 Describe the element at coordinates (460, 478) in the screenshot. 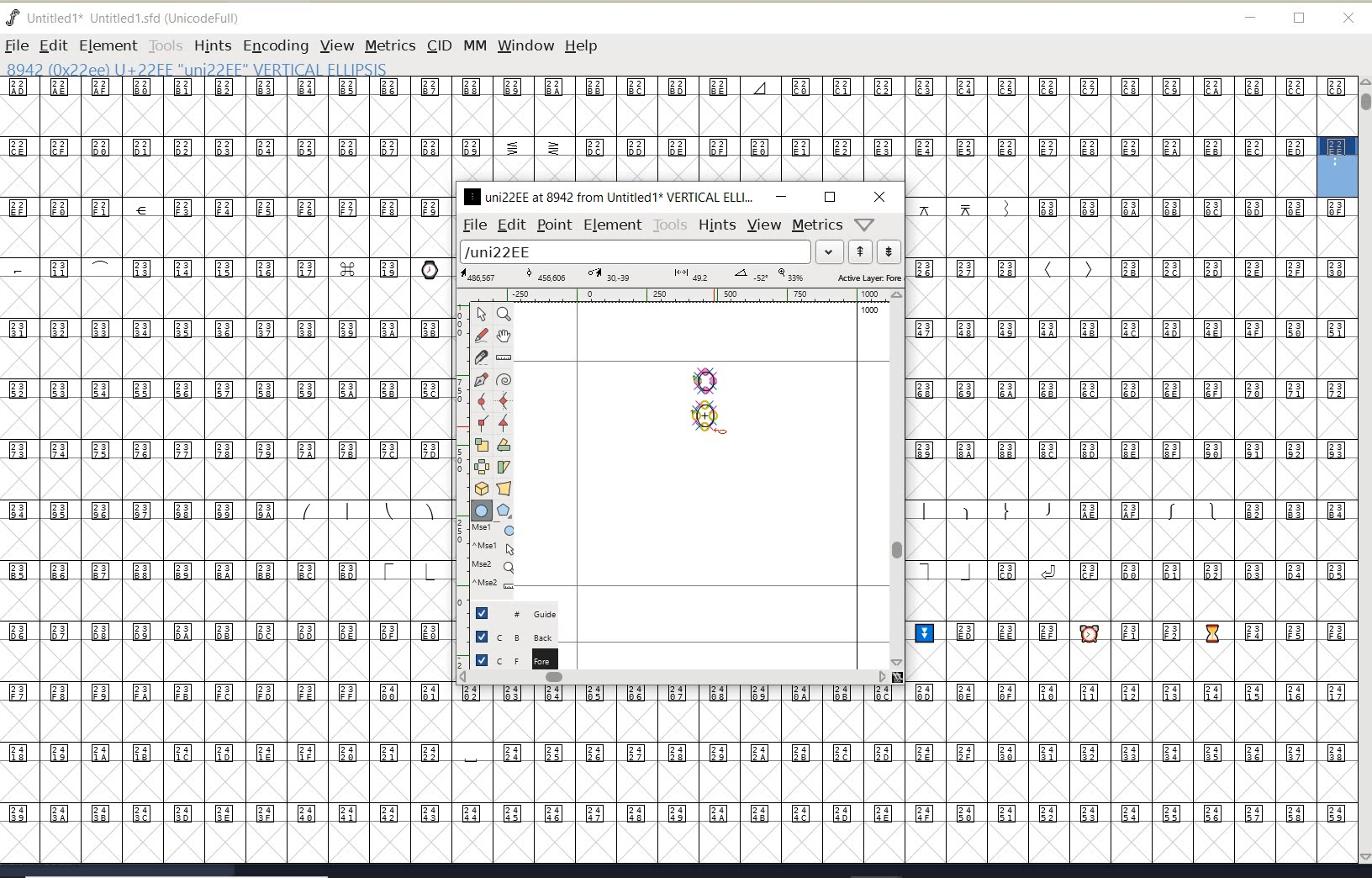

I see `SCALE` at that location.